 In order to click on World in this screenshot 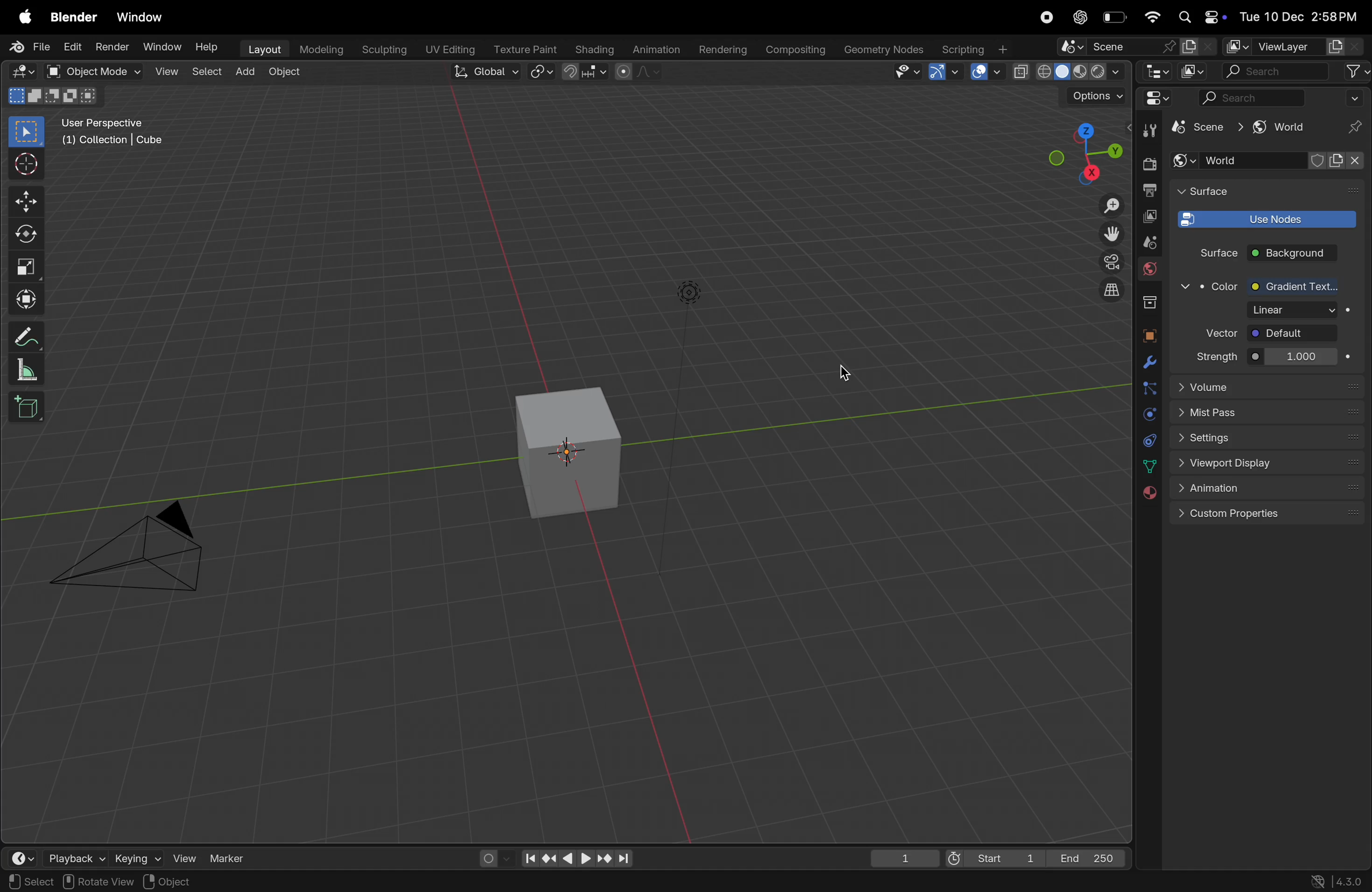, I will do `click(1239, 161)`.